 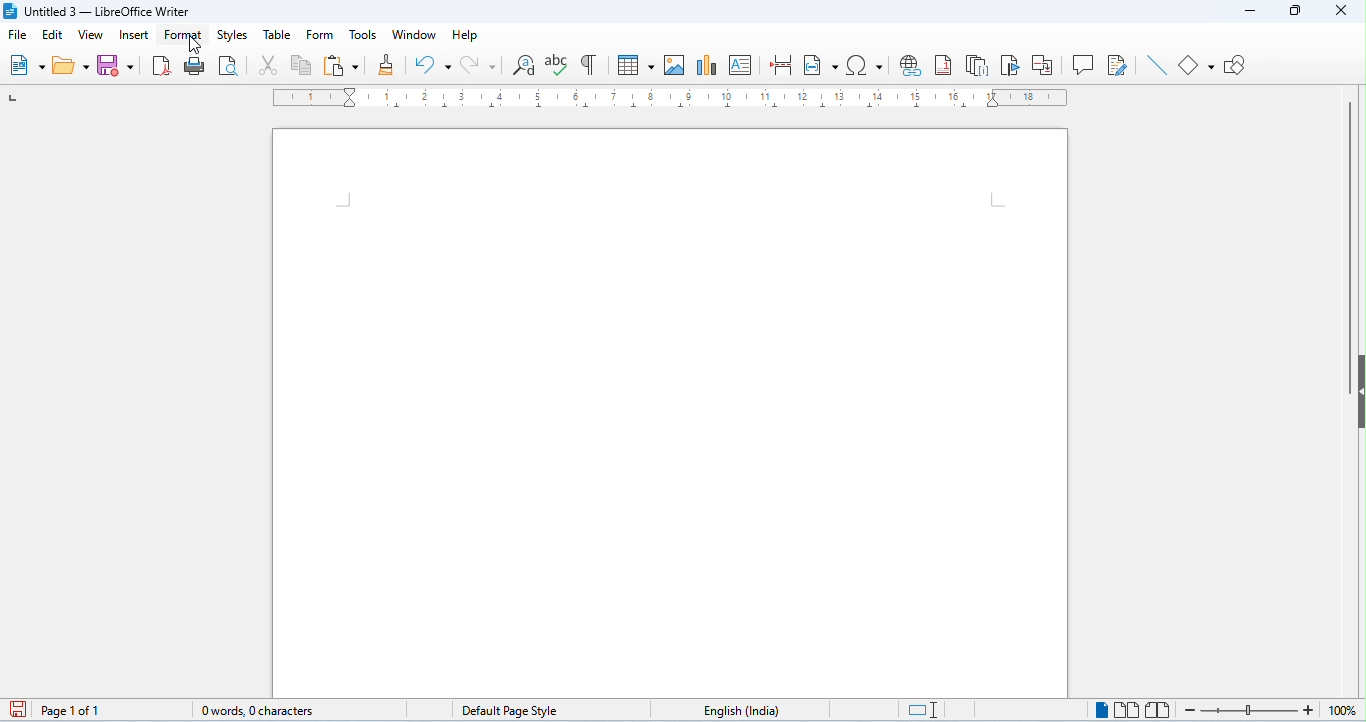 What do you see at coordinates (499, 708) in the screenshot?
I see `default page style` at bounding box center [499, 708].